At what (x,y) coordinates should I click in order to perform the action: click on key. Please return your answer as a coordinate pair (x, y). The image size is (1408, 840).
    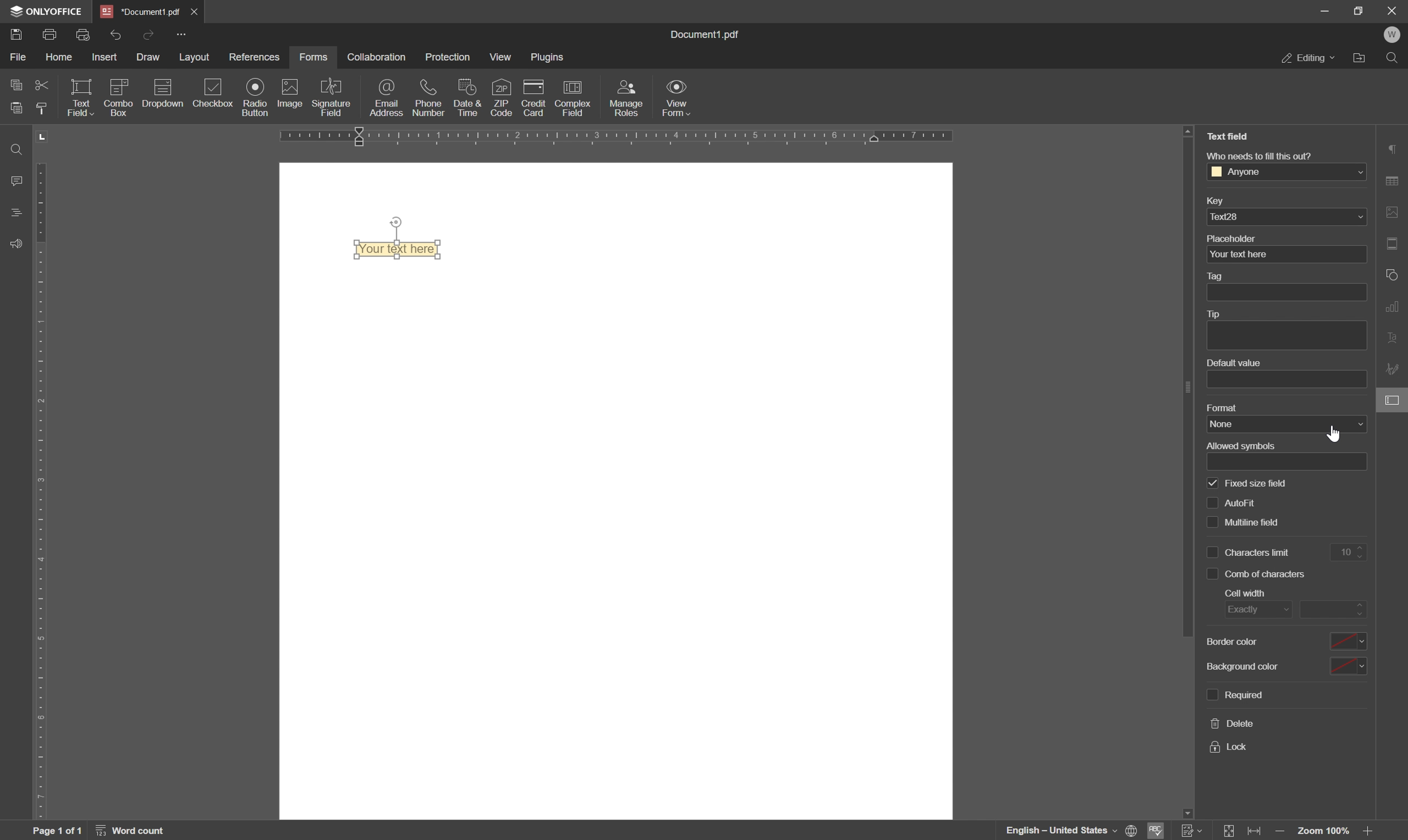
    Looking at the image, I should click on (1217, 200).